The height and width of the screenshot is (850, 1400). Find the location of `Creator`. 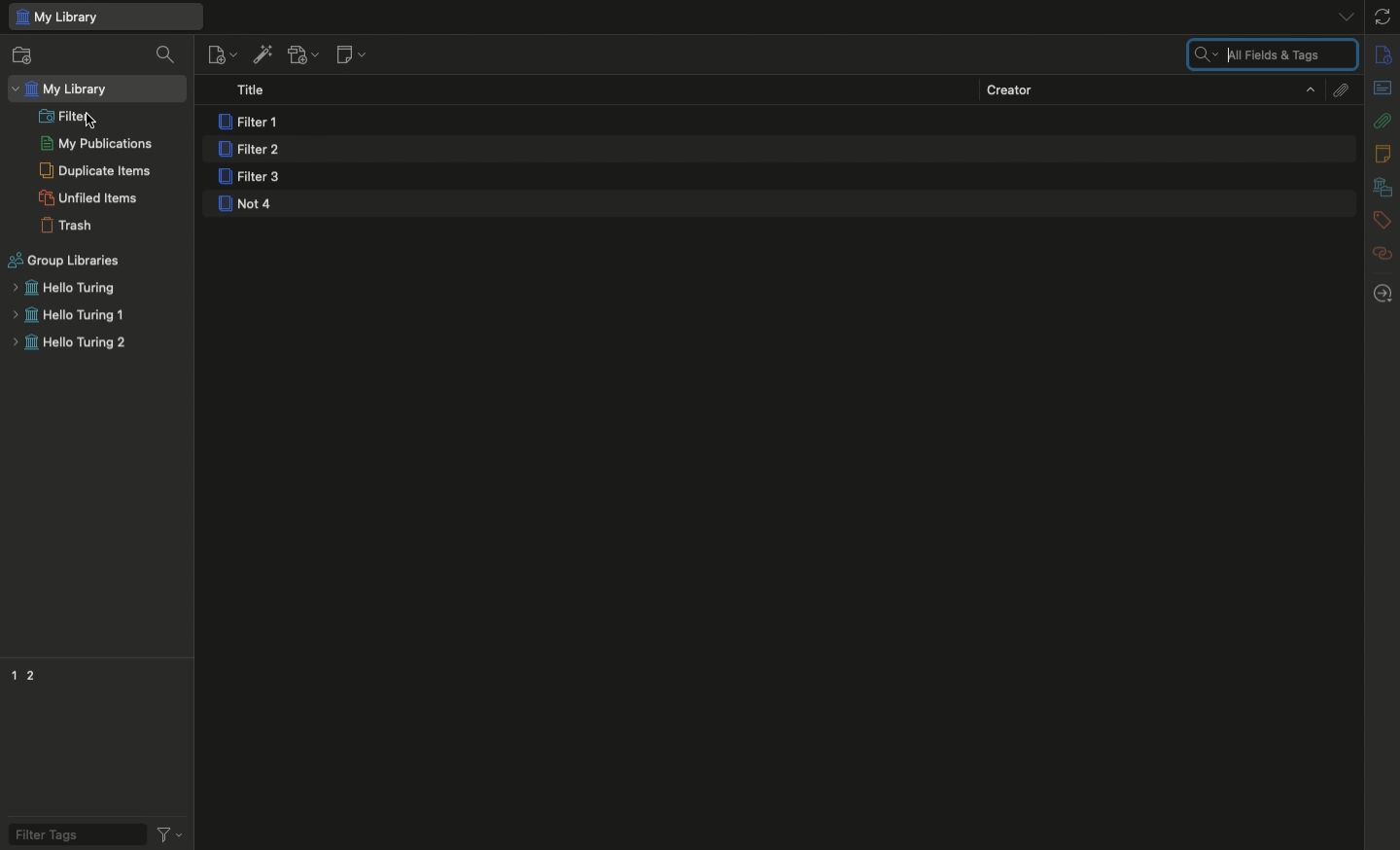

Creator is located at coordinates (1150, 89).